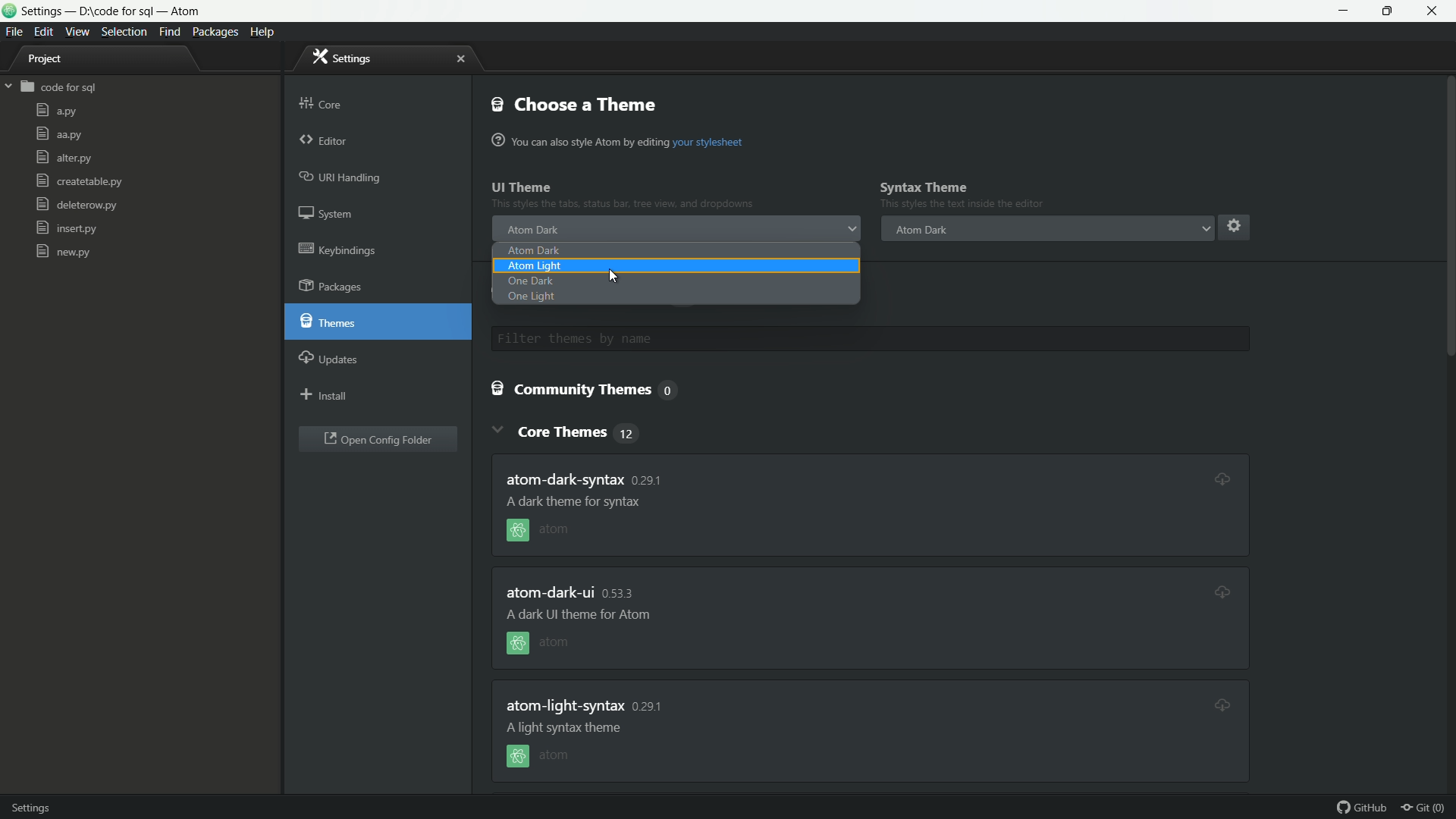 The width and height of the screenshot is (1456, 819). Describe the element at coordinates (13, 32) in the screenshot. I see `file menu` at that location.